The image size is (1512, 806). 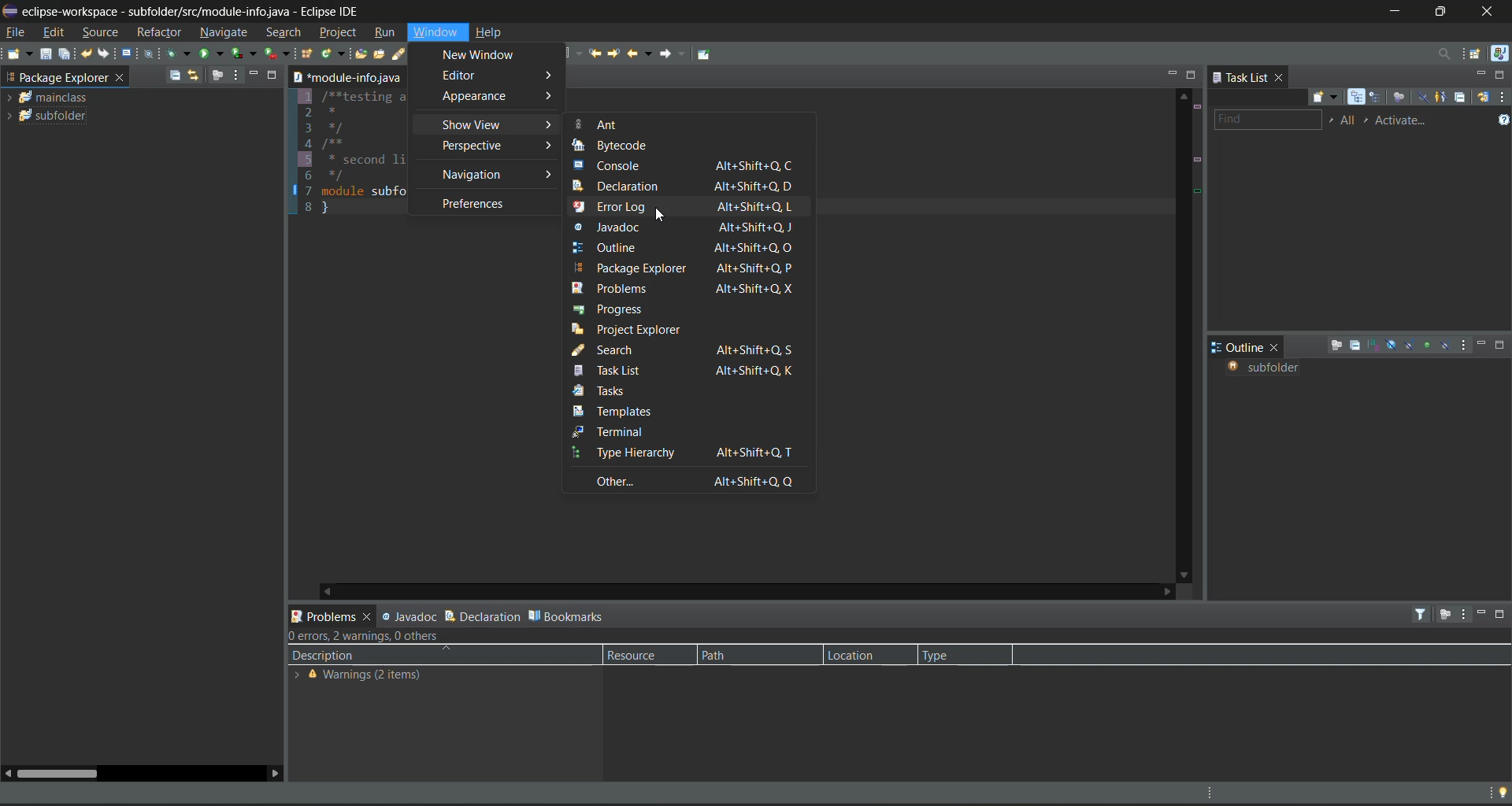 What do you see at coordinates (1393, 12) in the screenshot?
I see `minimize` at bounding box center [1393, 12].